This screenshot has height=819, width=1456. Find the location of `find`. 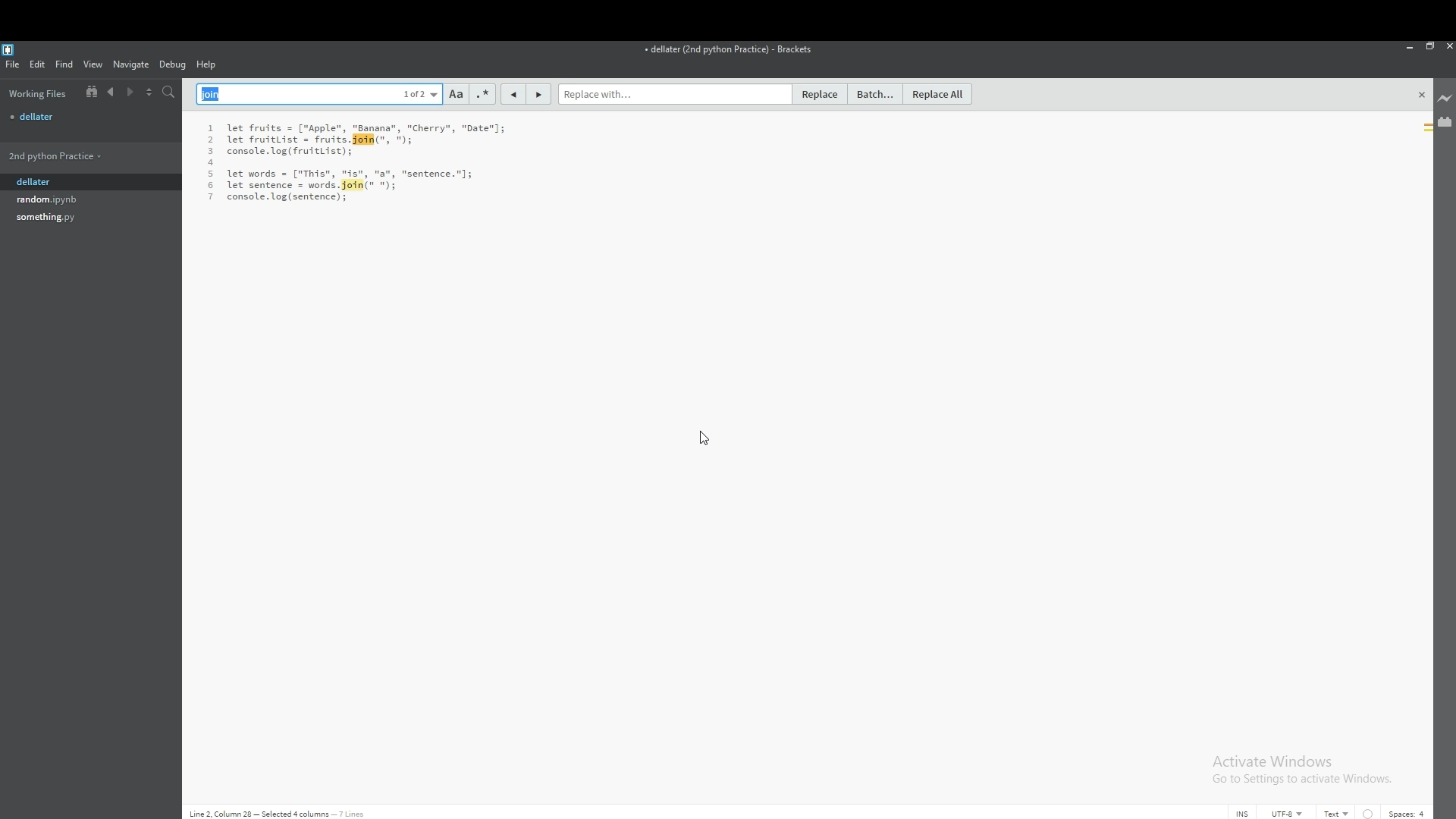

find is located at coordinates (319, 94).